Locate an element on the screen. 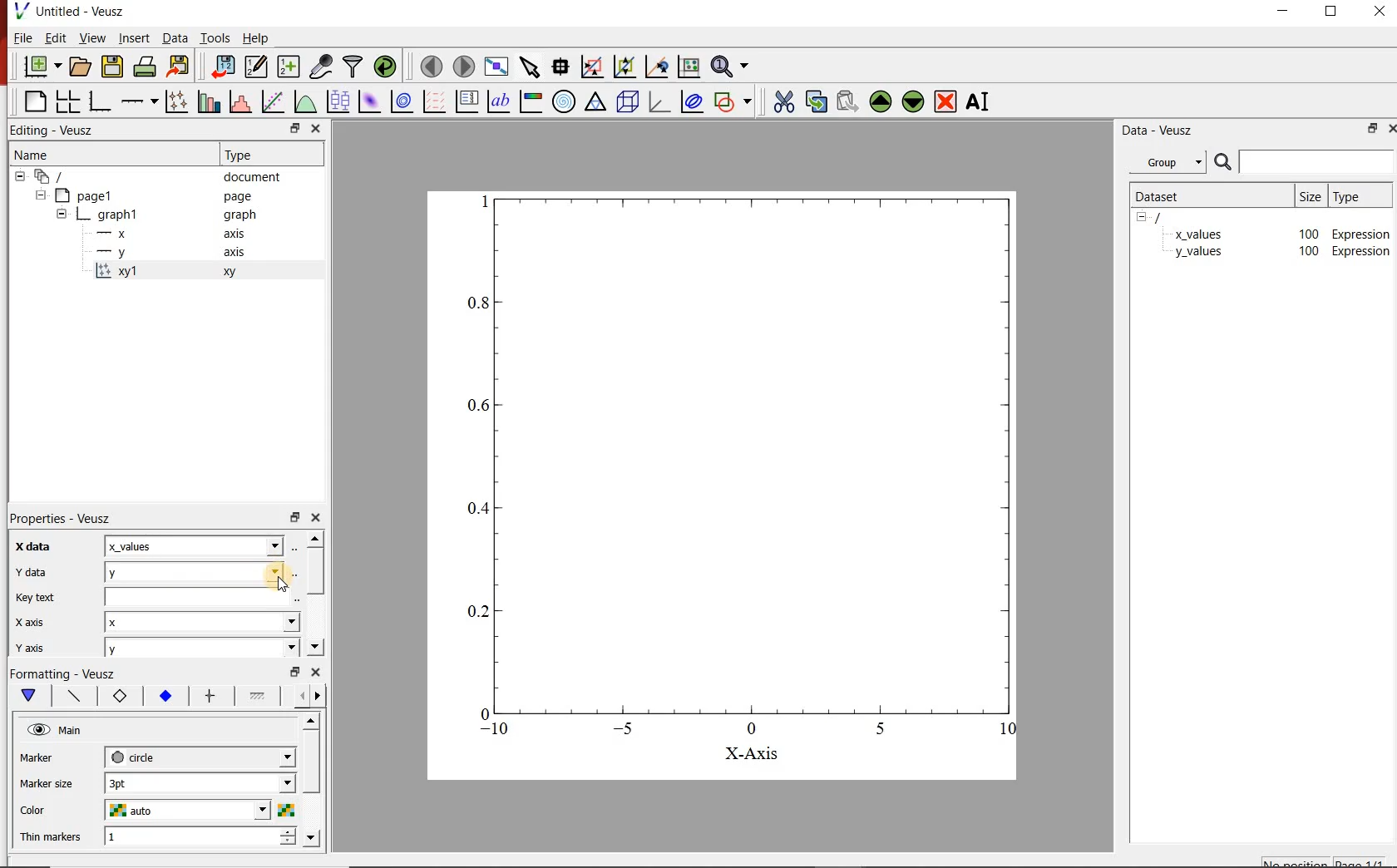 The width and height of the screenshot is (1397, 868). arrange graphs in a grid is located at coordinates (67, 102).